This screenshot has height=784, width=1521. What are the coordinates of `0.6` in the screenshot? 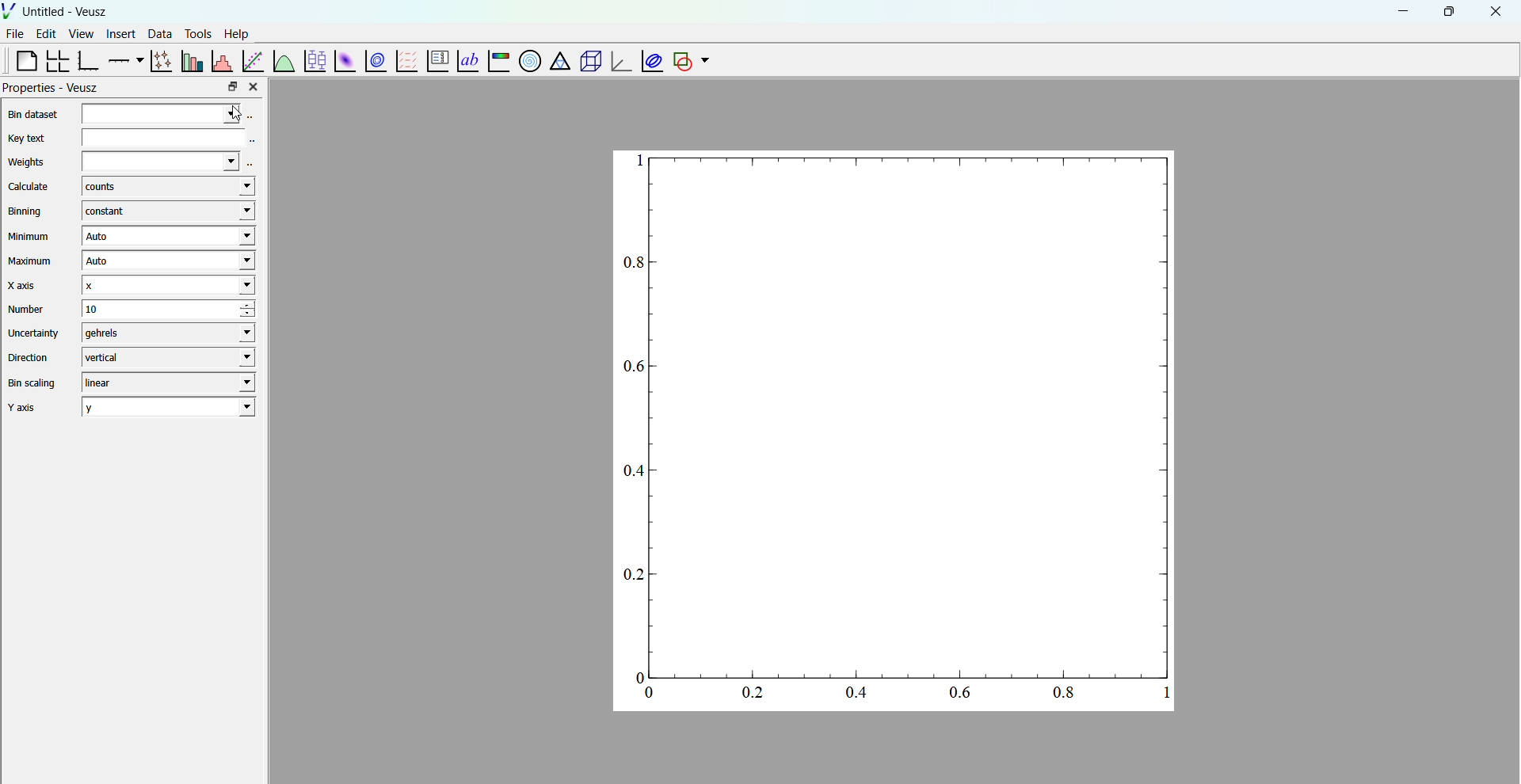 It's located at (959, 693).